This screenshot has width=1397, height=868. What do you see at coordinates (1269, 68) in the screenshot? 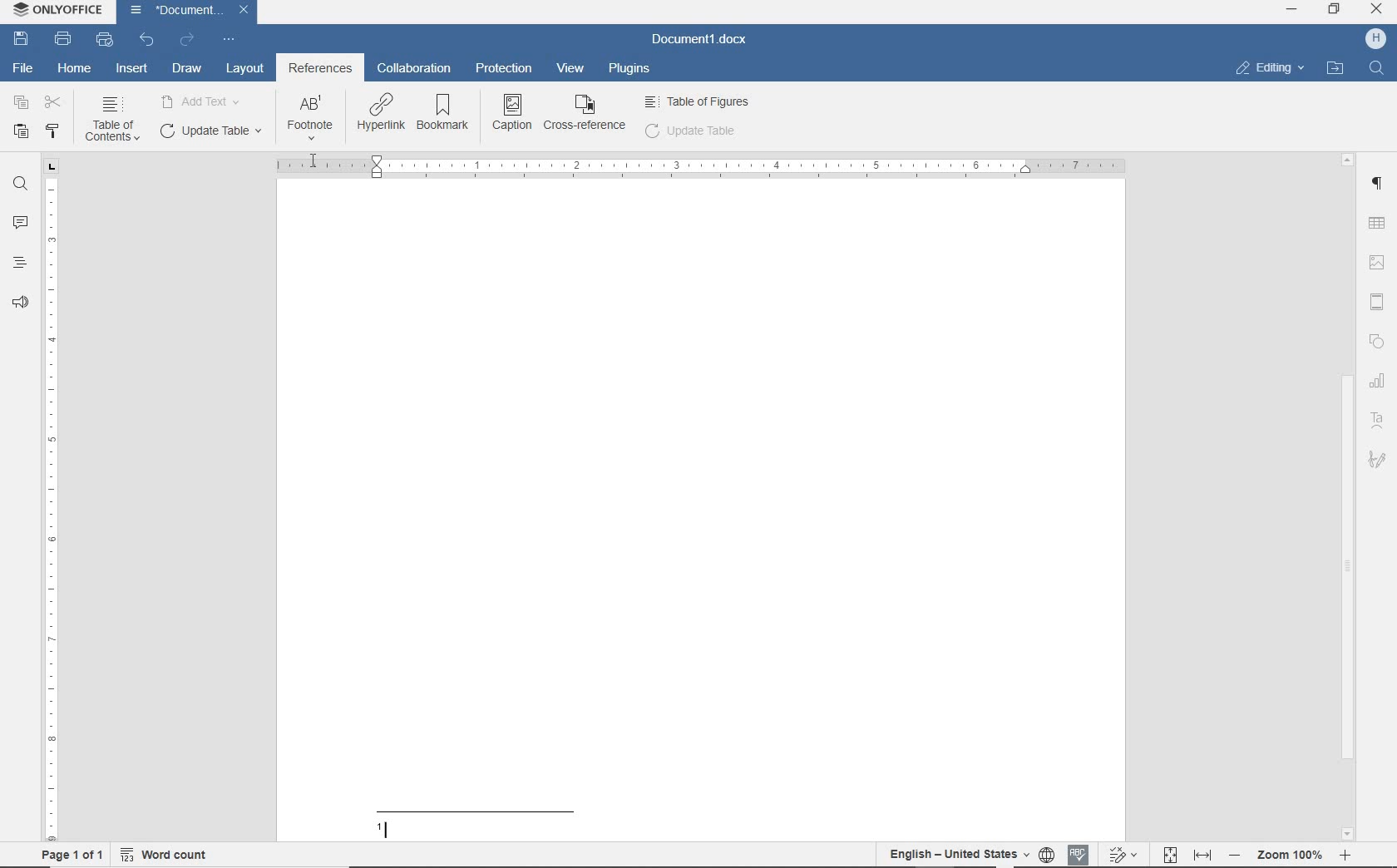
I see `EDITING` at bounding box center [1269, 68].